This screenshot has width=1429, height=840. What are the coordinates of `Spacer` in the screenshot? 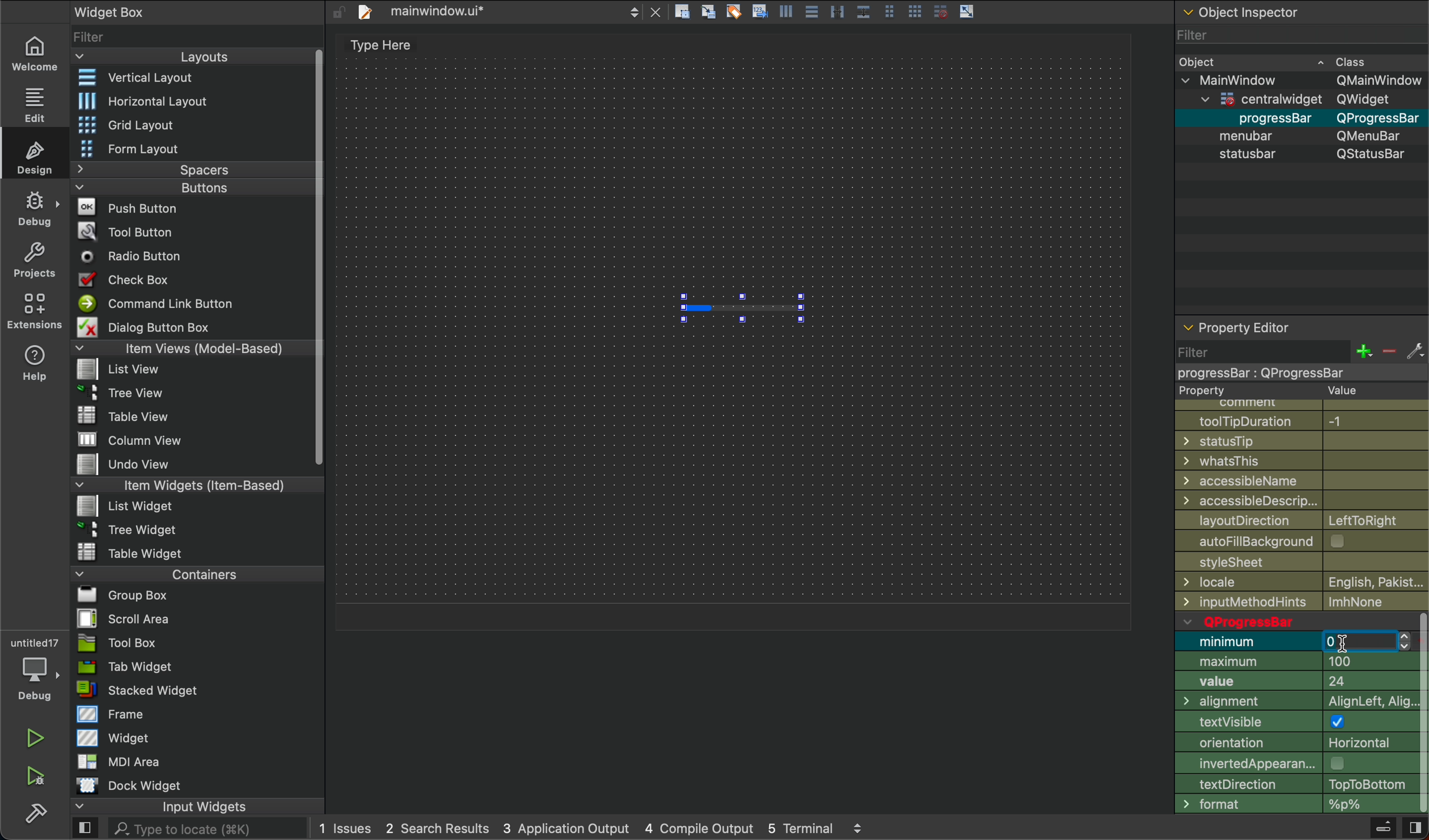 It's located at (177, 169).